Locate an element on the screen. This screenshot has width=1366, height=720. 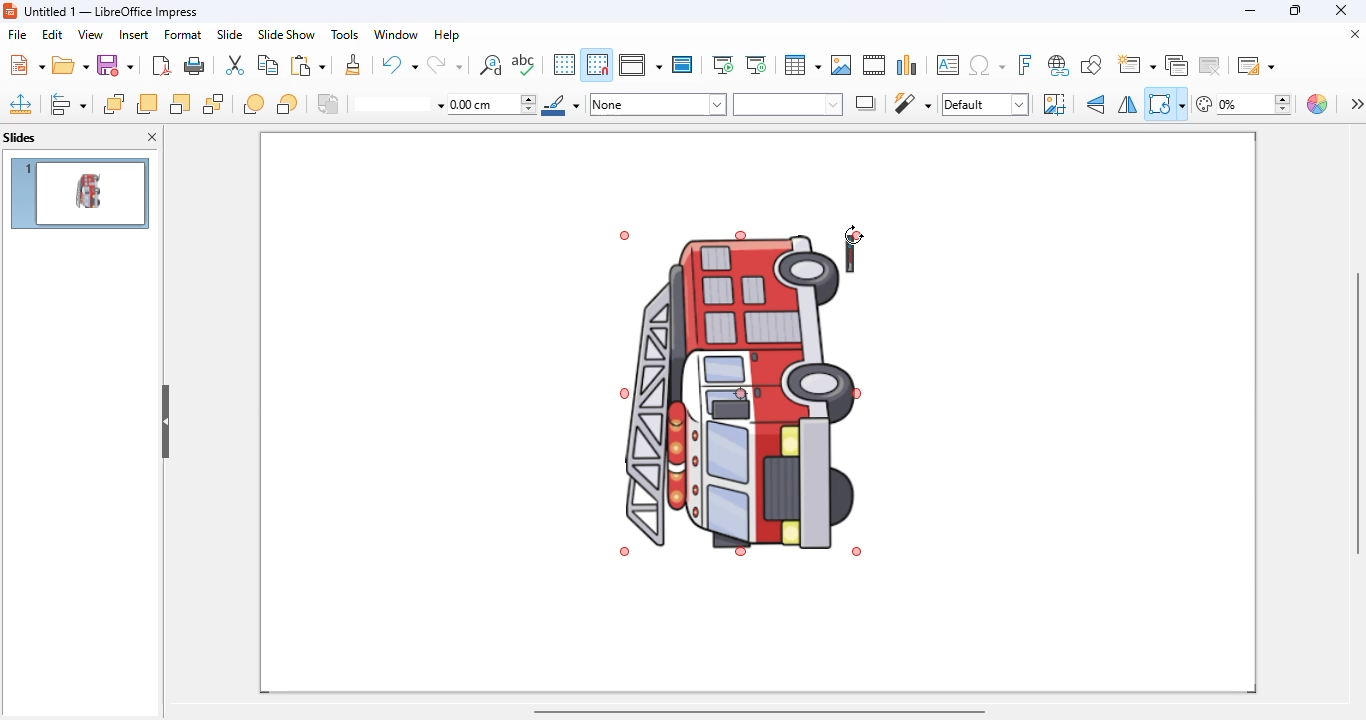
file is located at coordinates (18, 34).